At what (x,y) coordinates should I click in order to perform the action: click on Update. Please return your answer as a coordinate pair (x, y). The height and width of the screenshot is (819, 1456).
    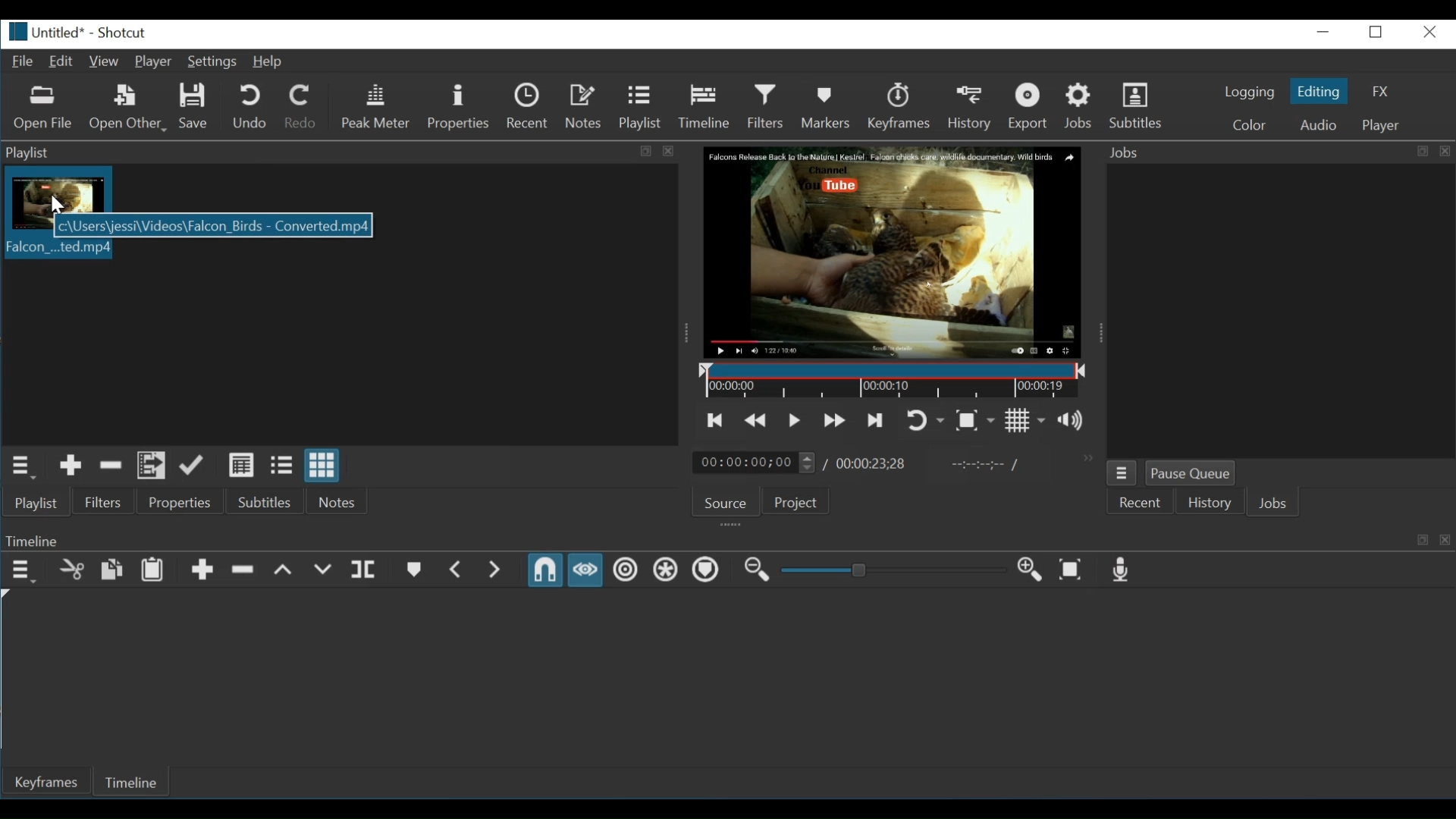
    Looking at the image, I should click on (193, 466).